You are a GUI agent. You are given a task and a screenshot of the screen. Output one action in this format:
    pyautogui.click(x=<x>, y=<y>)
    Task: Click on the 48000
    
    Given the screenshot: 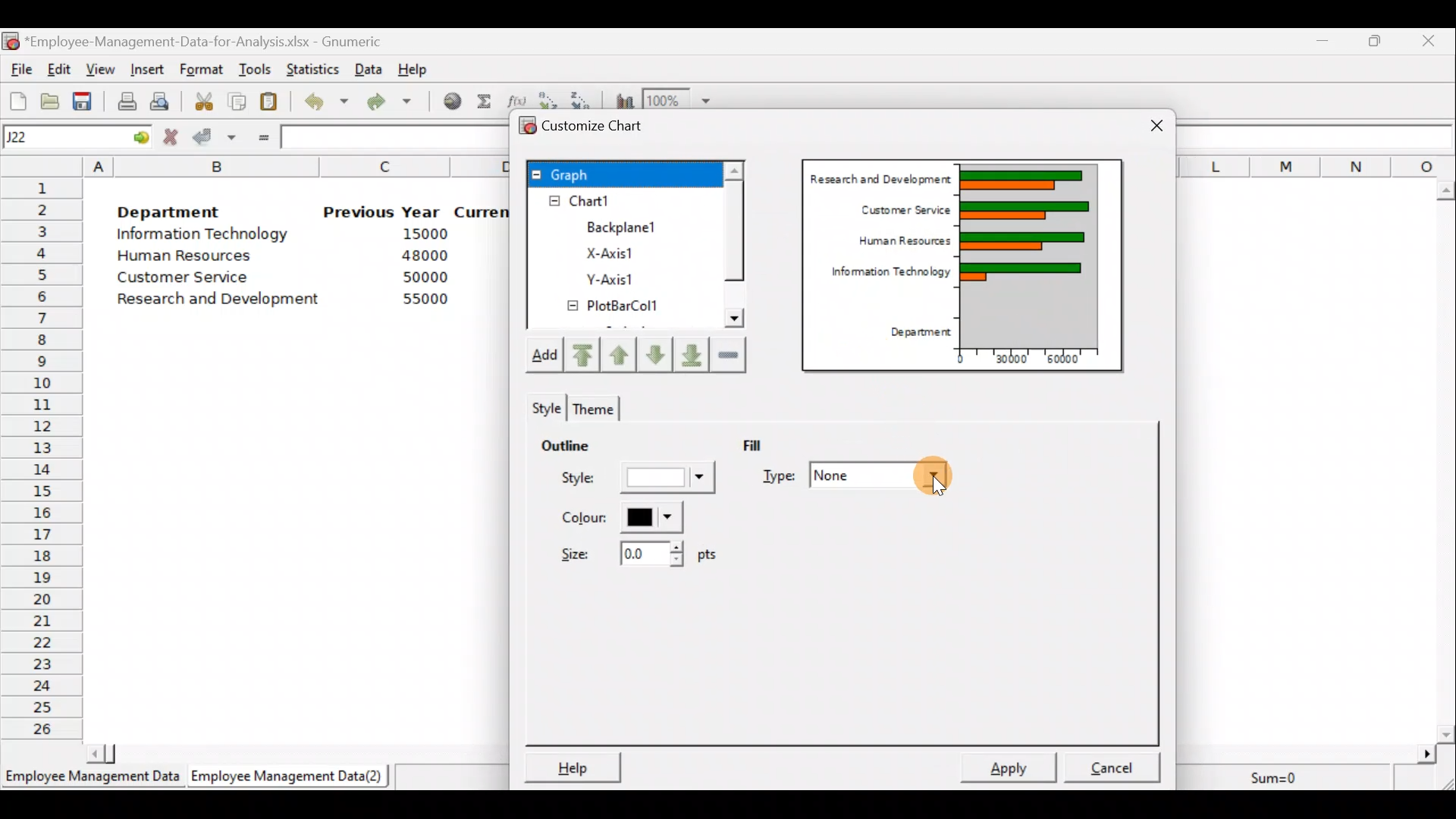 What is the action you would take?
    pyautogui.click(x=424, y=257)
    